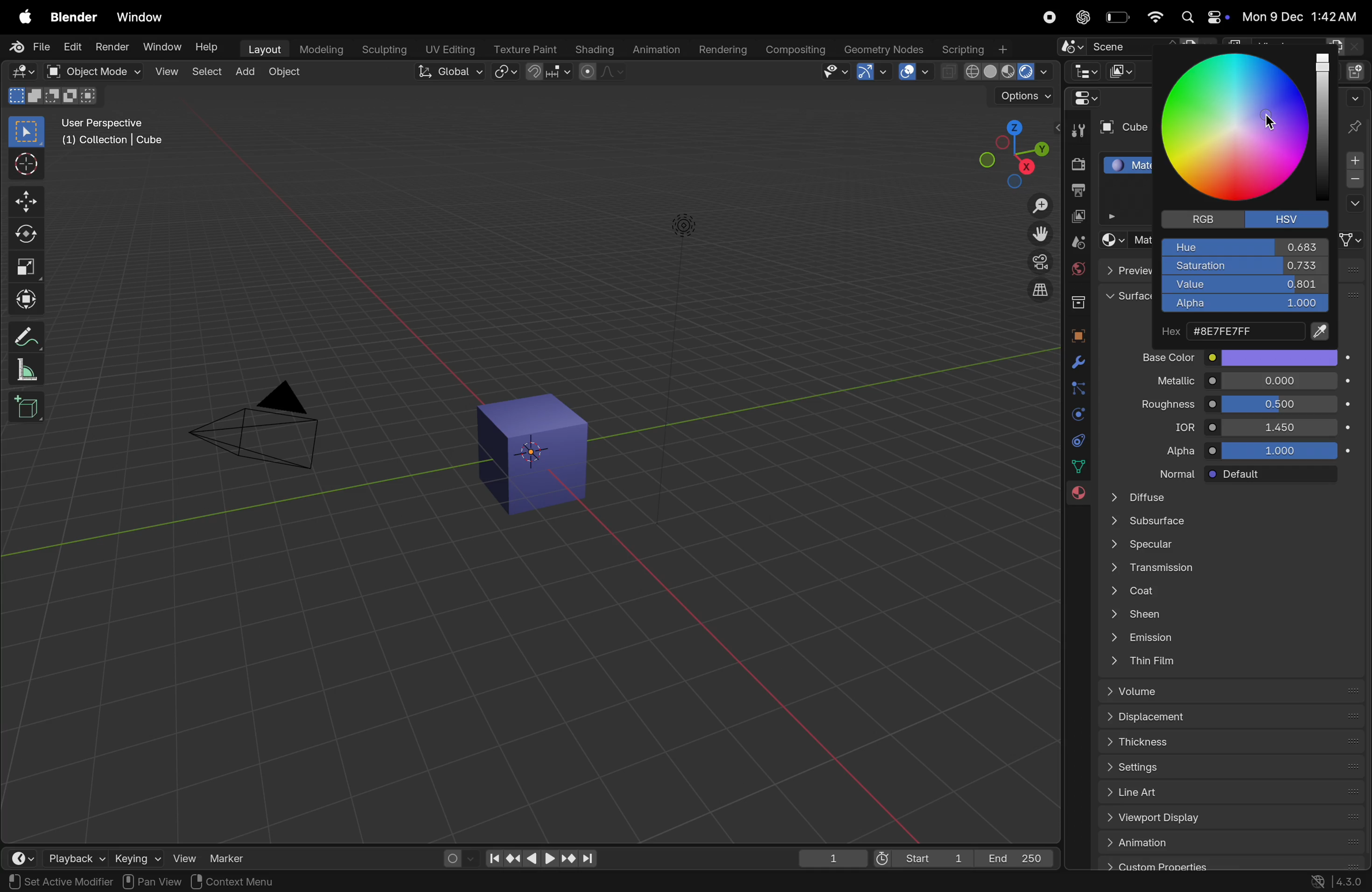 The image size is (1372, 892). Describe the element at coordinates (1226, 792) in the screenshot. I see `line art` at that location.